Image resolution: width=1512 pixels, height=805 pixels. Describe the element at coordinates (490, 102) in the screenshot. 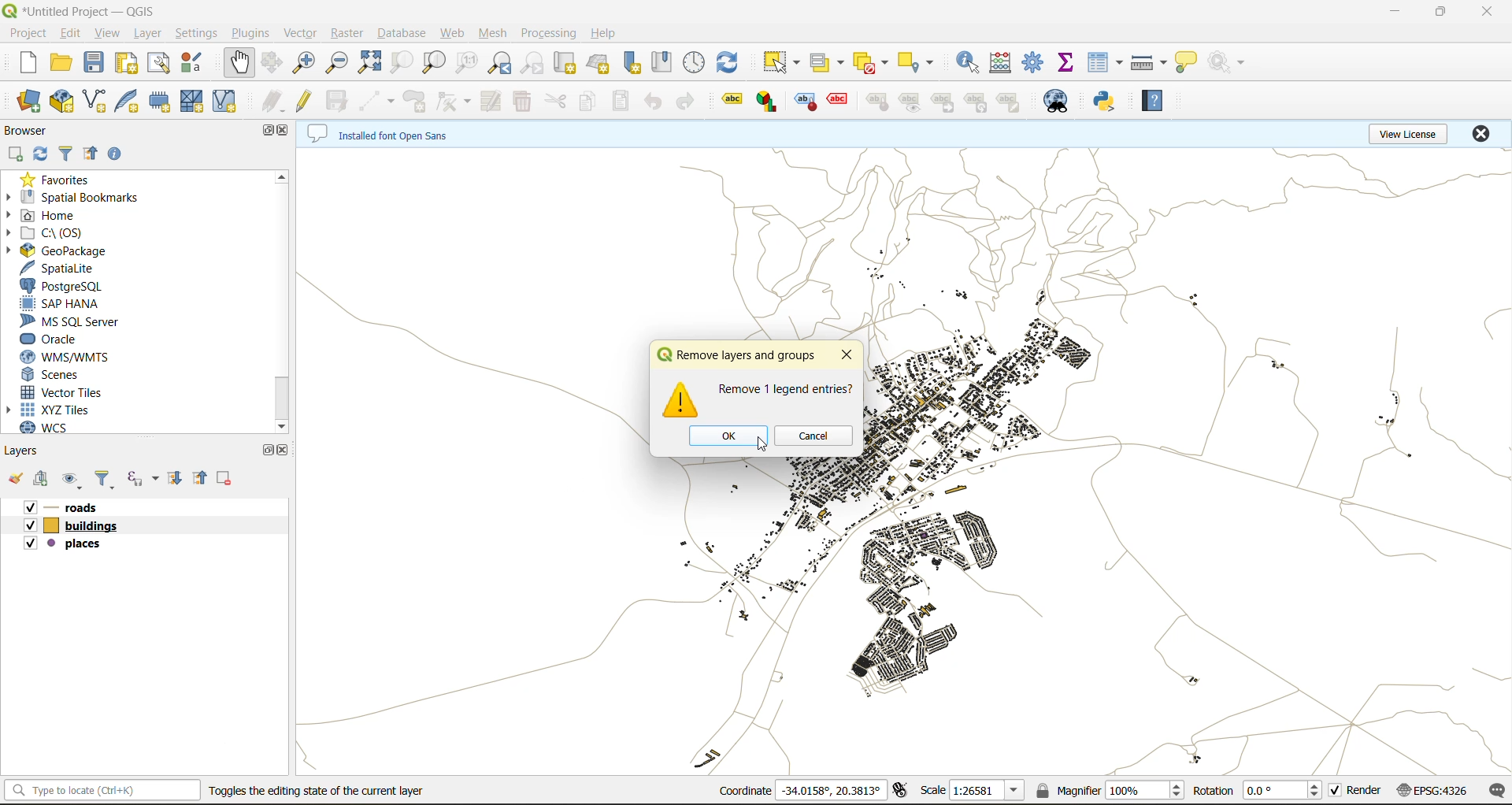

I see `modify` at that location.